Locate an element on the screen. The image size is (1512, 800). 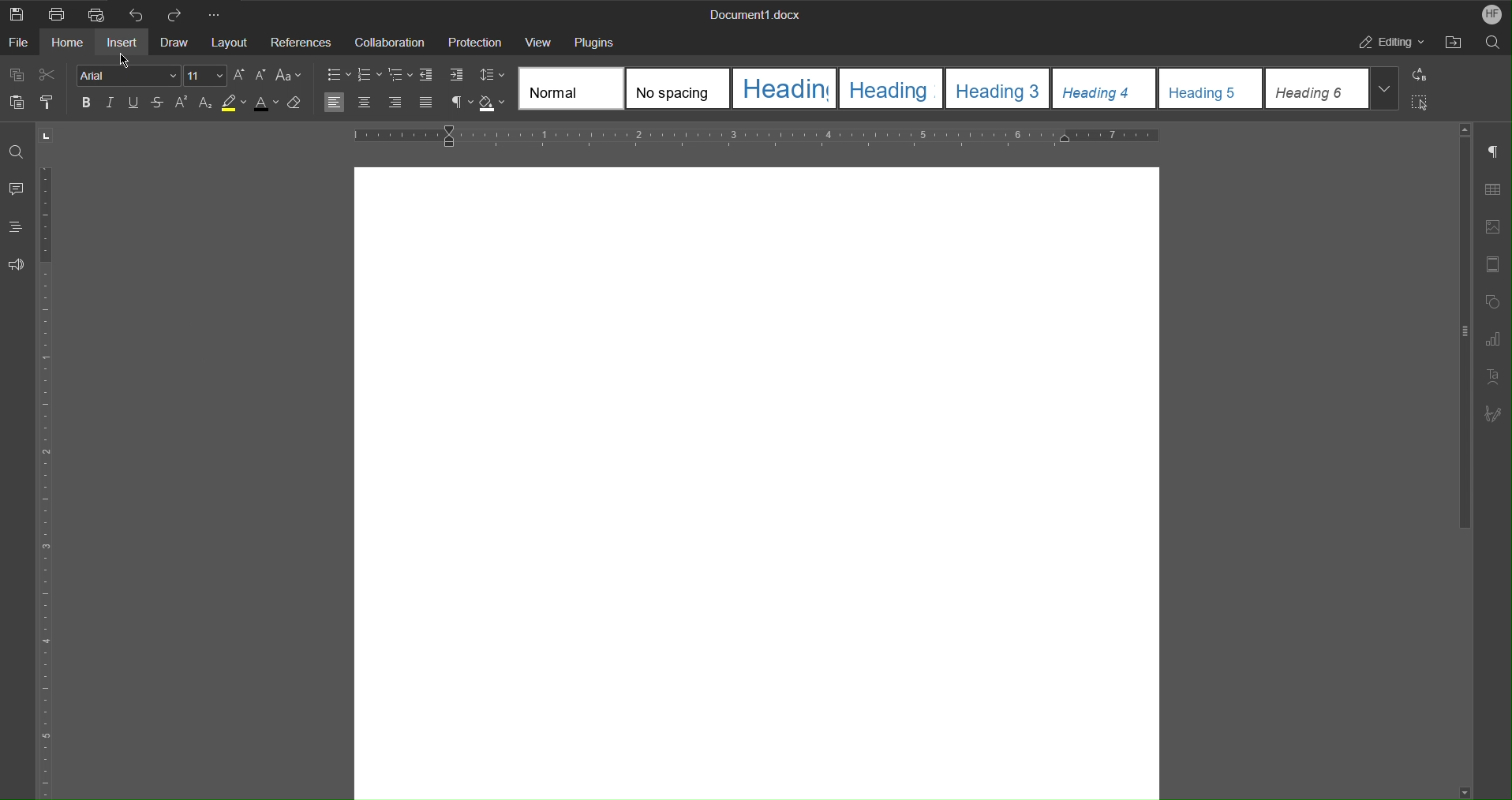
Non-Printing Characters is located at coordinates (459, 103).